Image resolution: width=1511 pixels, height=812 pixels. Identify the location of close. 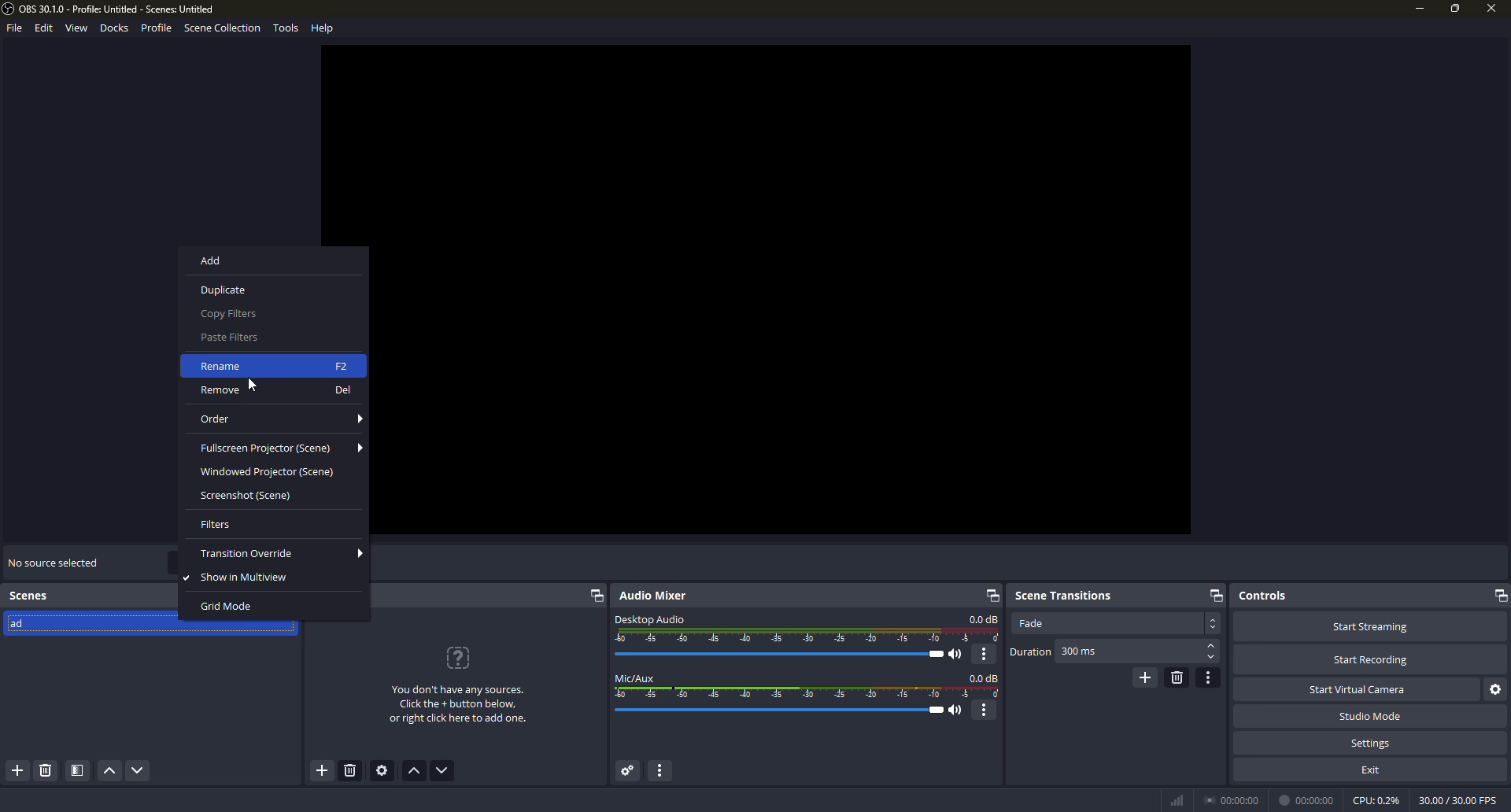
(1489, 10).